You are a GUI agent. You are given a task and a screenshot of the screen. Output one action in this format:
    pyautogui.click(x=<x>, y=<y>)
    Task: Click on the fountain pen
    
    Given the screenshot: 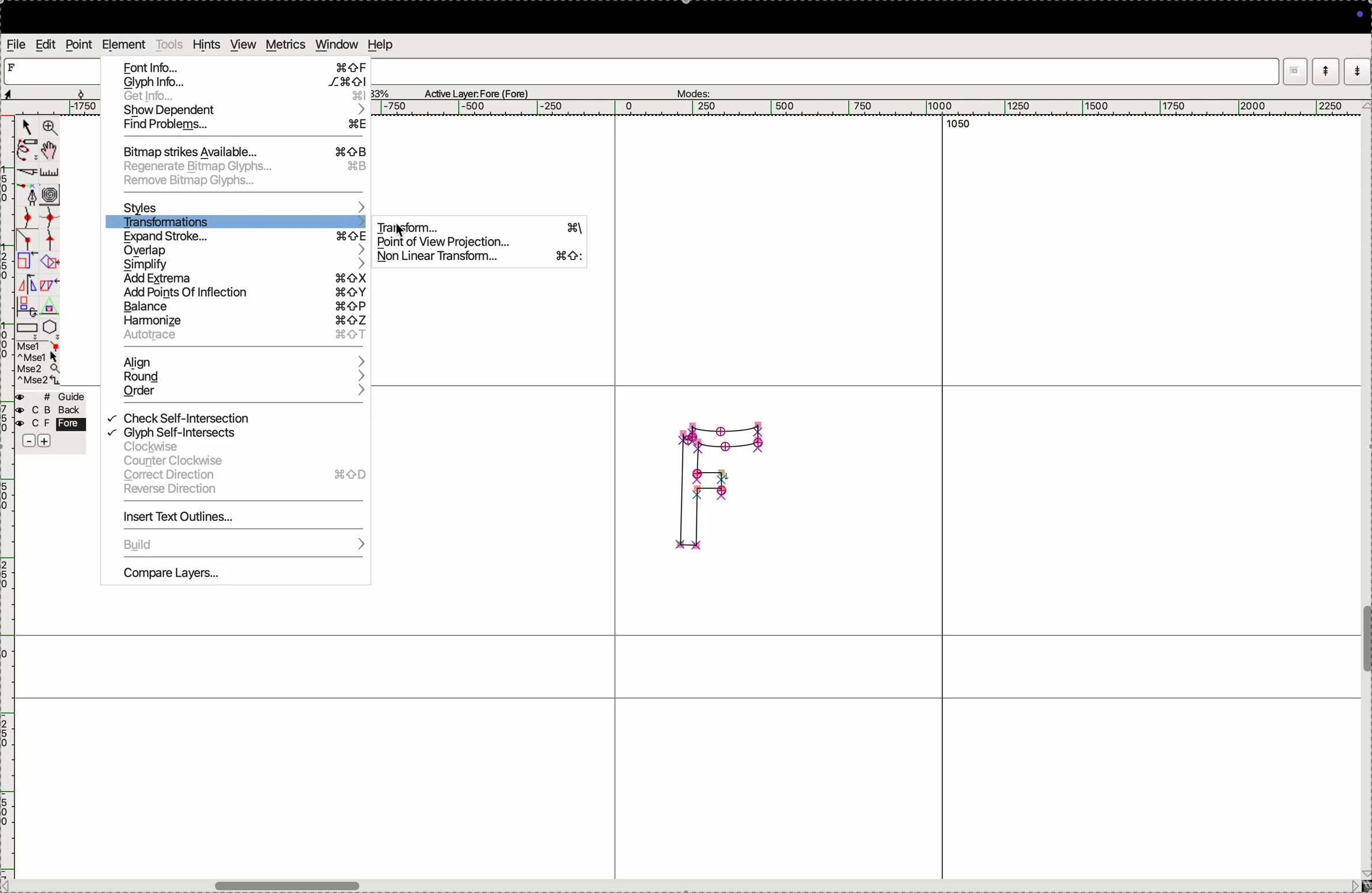 What is the action you would take?
    pyautogui.click(x=32, y=196)
    